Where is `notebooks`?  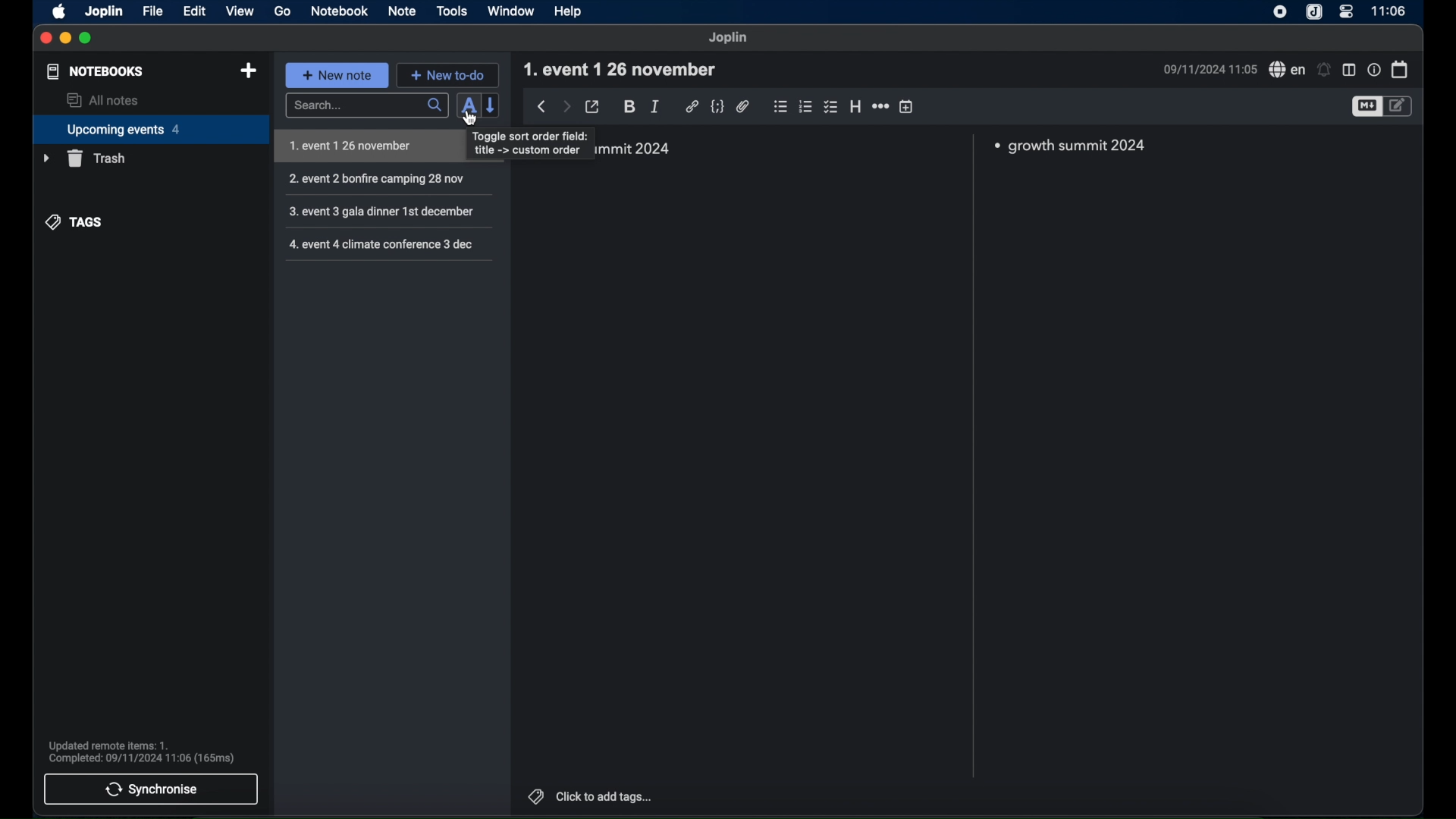 notebooks is located at coordinates (96, 71).